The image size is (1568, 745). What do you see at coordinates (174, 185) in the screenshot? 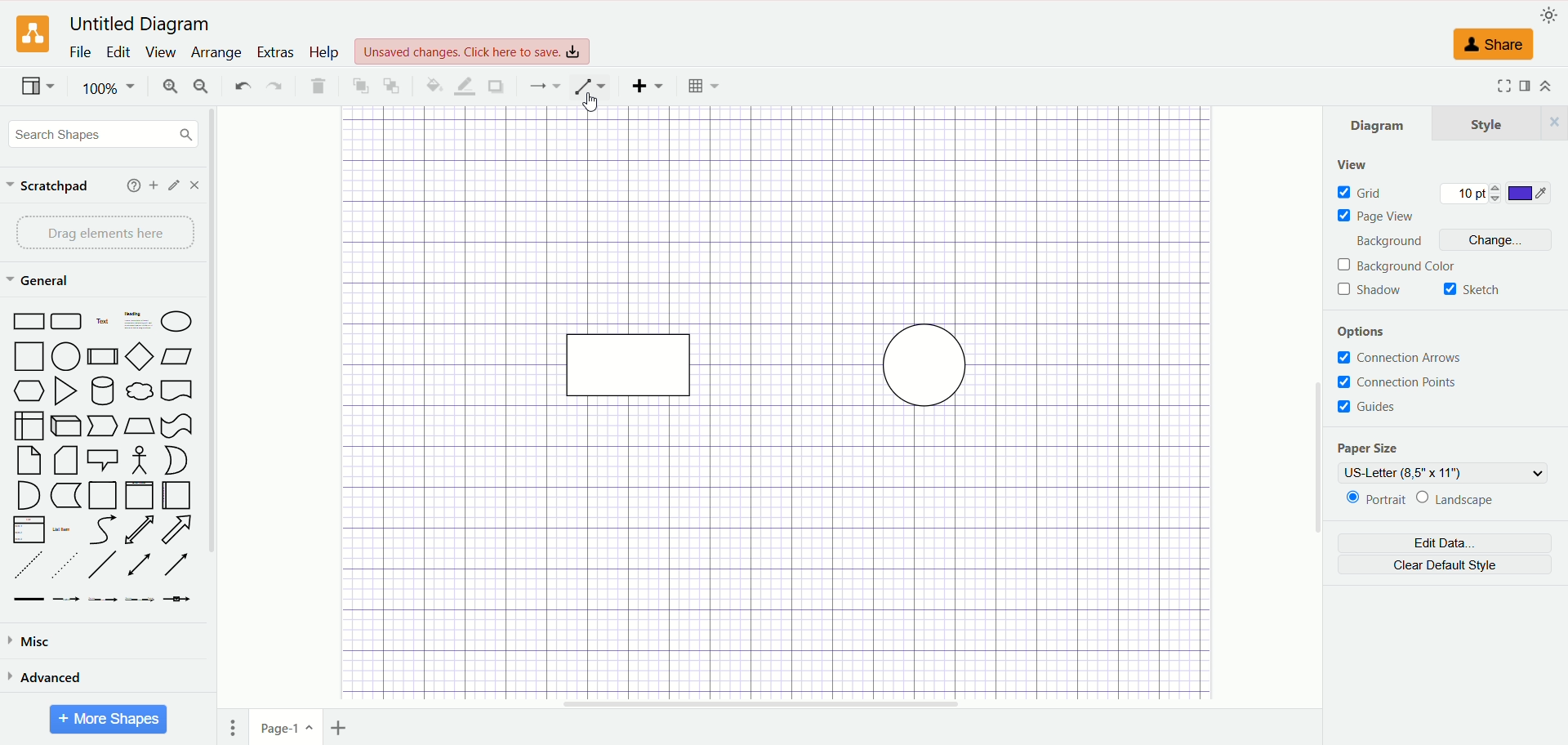
I see `edit` at bounding box center [174, 185].